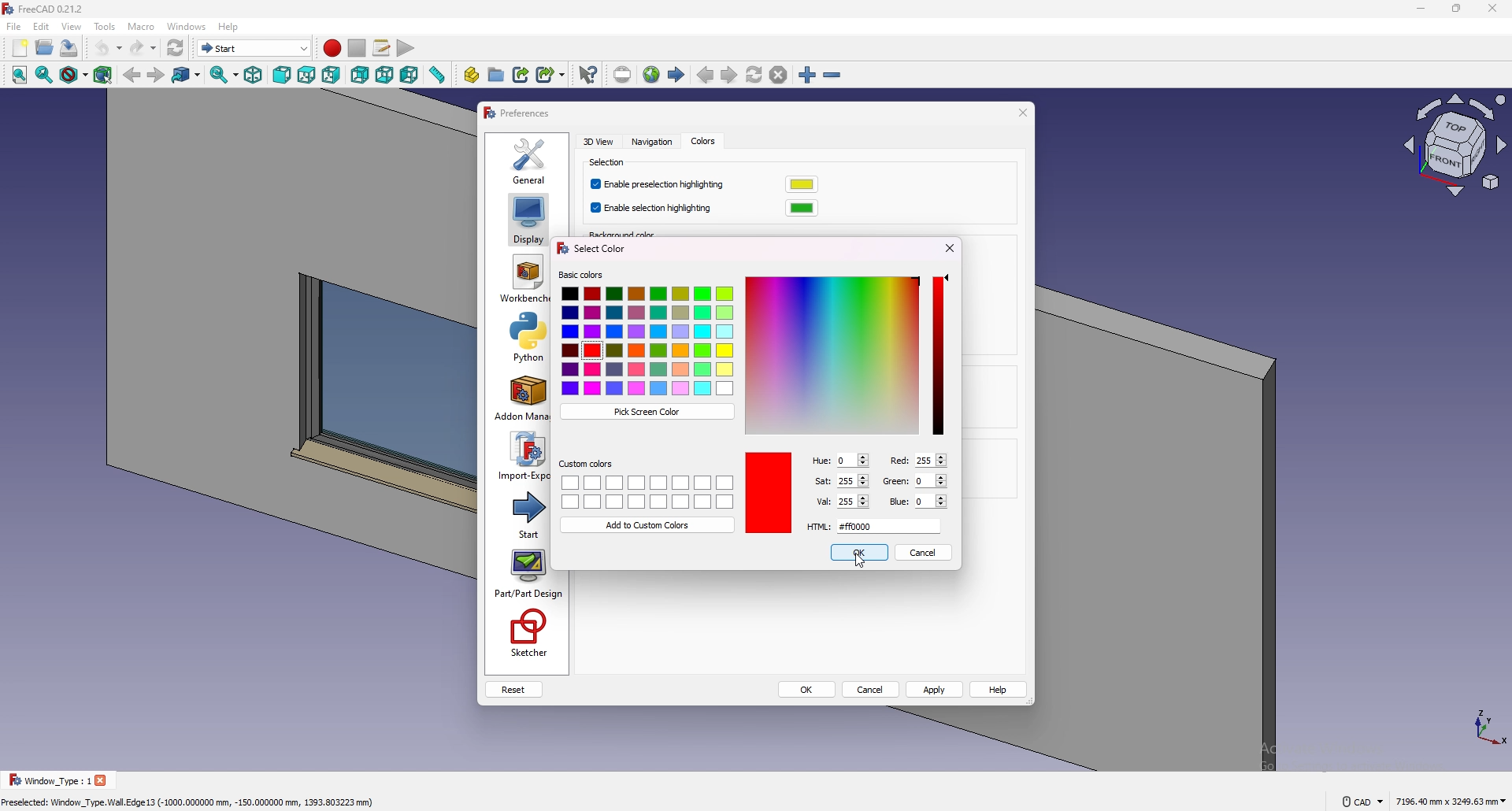  What do you see at coordinates (897, 460) in the screenshot?
I see `Red:` at bounding box center [897, 460].